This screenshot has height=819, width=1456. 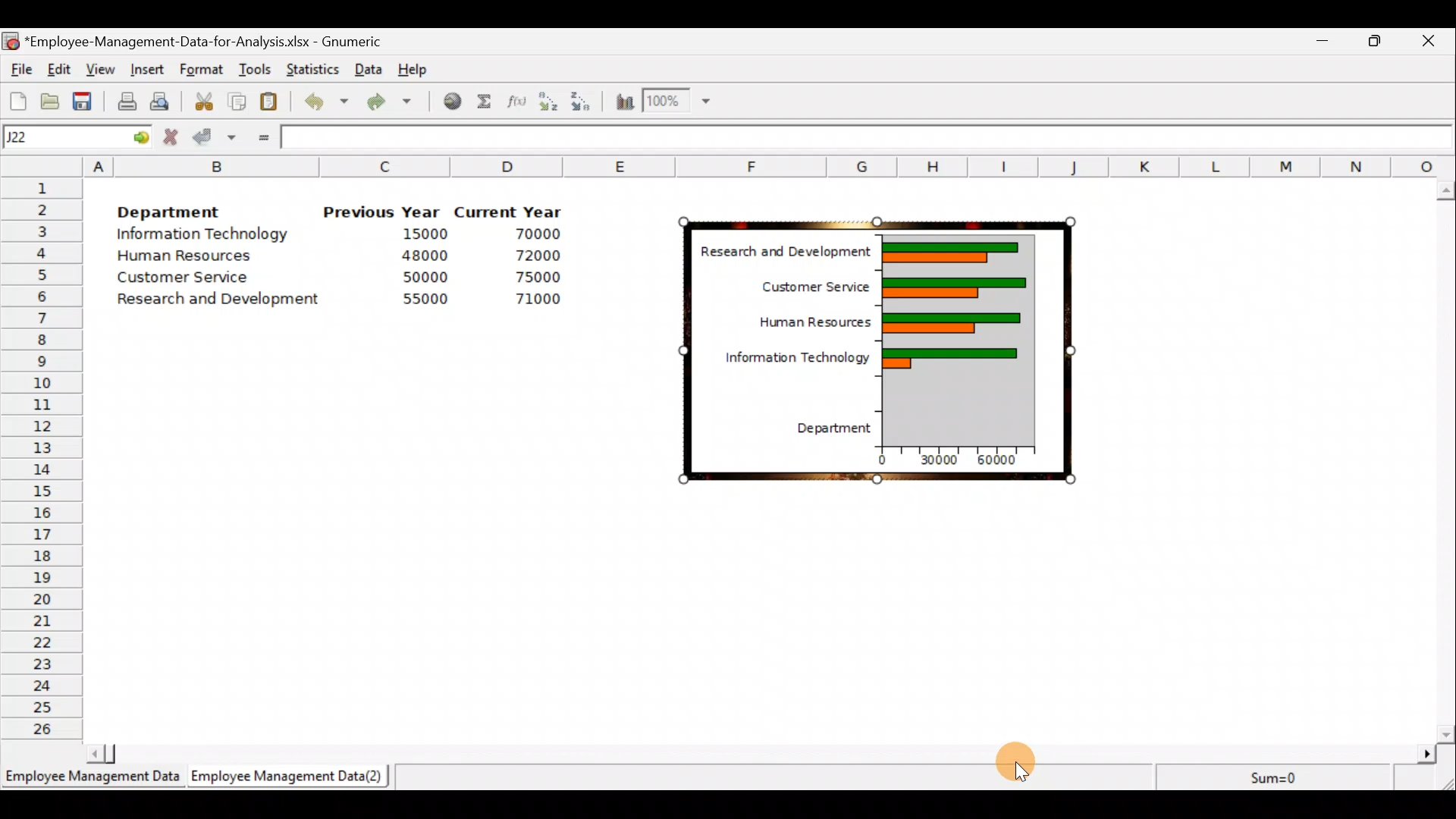 What do you see at coordinates (825, 434) in the screenshot?
I see `Department` at bounding box center [825, 434].